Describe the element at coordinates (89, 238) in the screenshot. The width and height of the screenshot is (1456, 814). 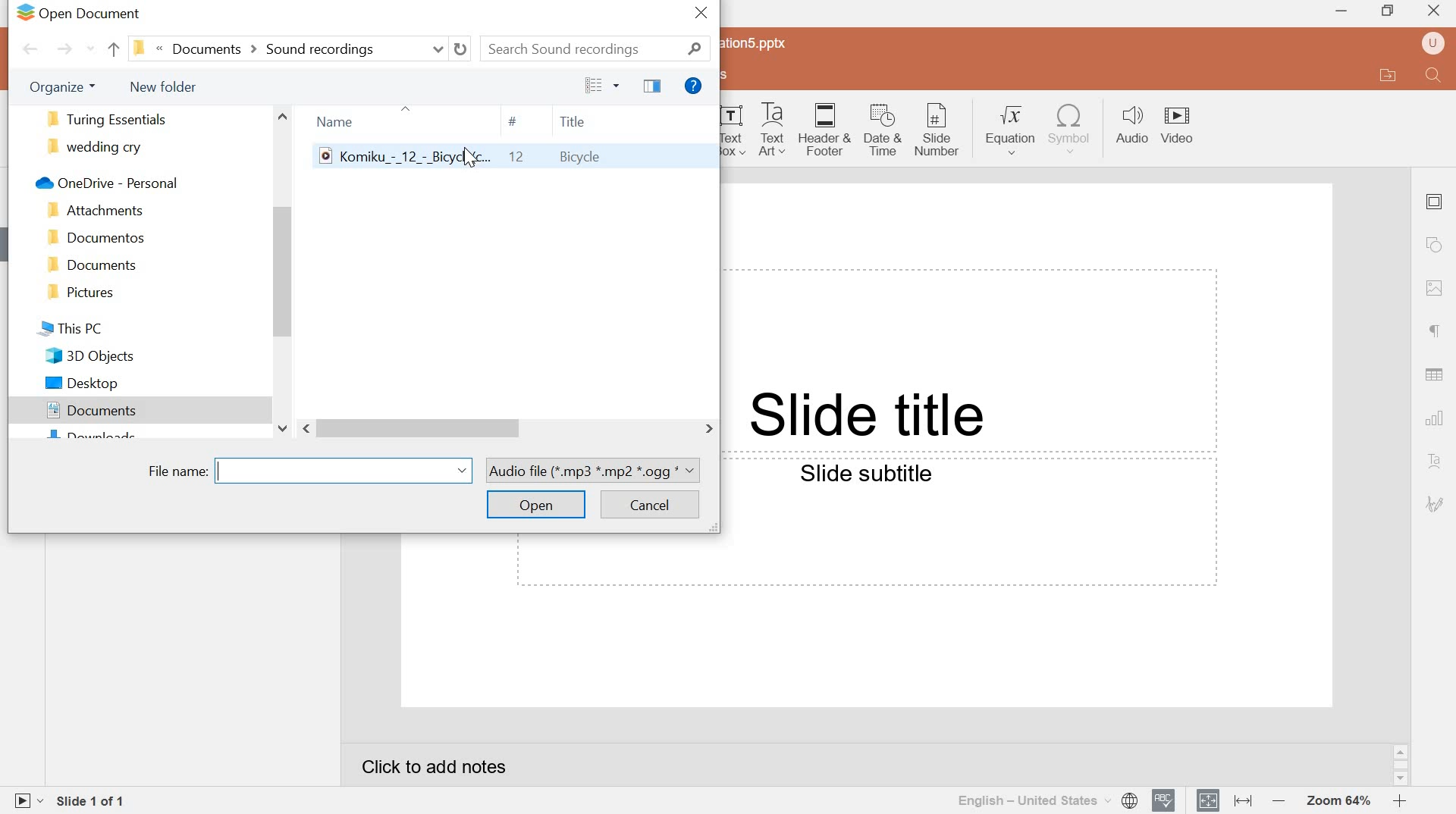
I see `documentos folder` at that location.